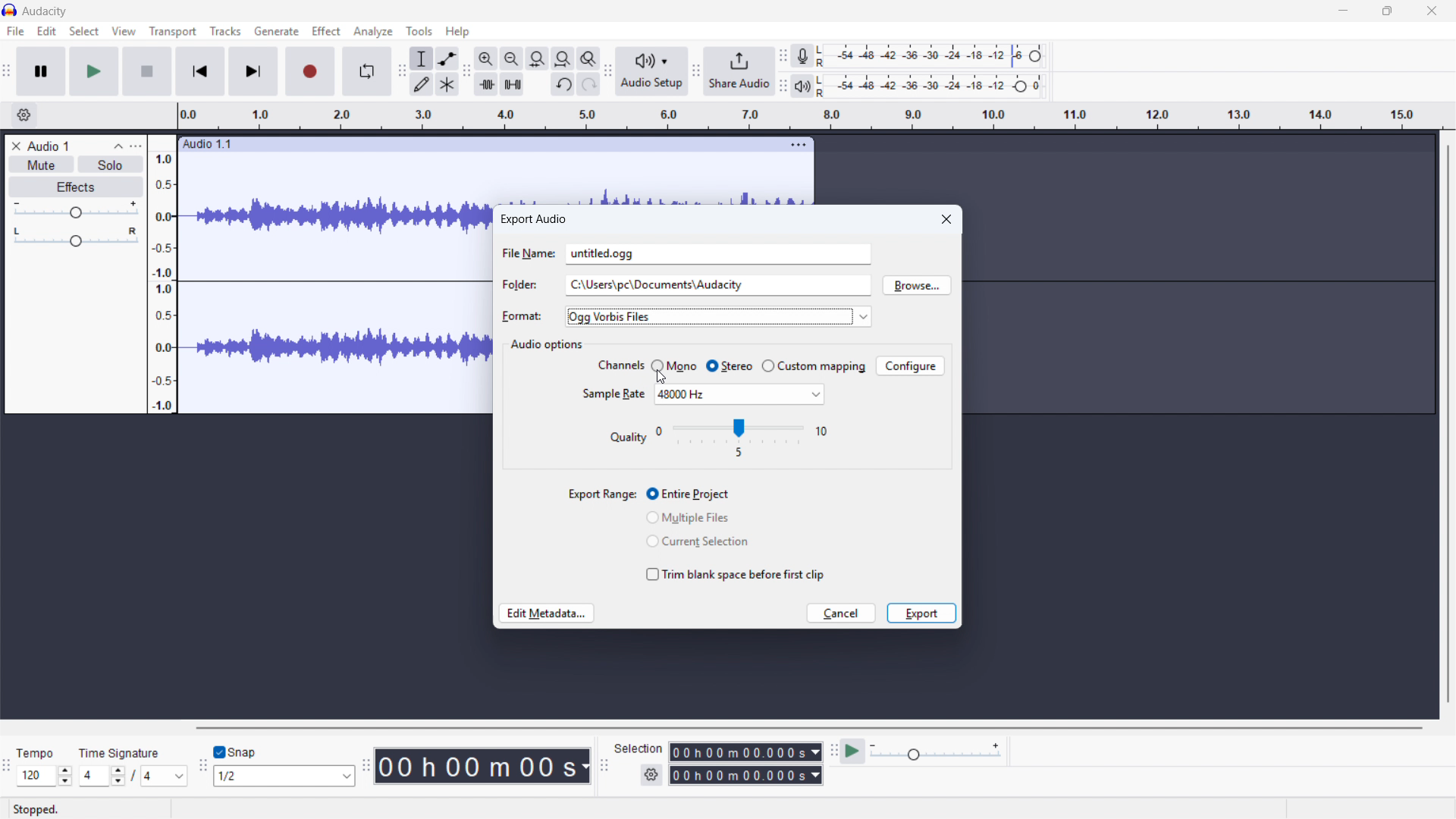 Image resolution: width=1456 pixels, height=819 pixels. I want to click on Close dialogue box , so click(947, 218).